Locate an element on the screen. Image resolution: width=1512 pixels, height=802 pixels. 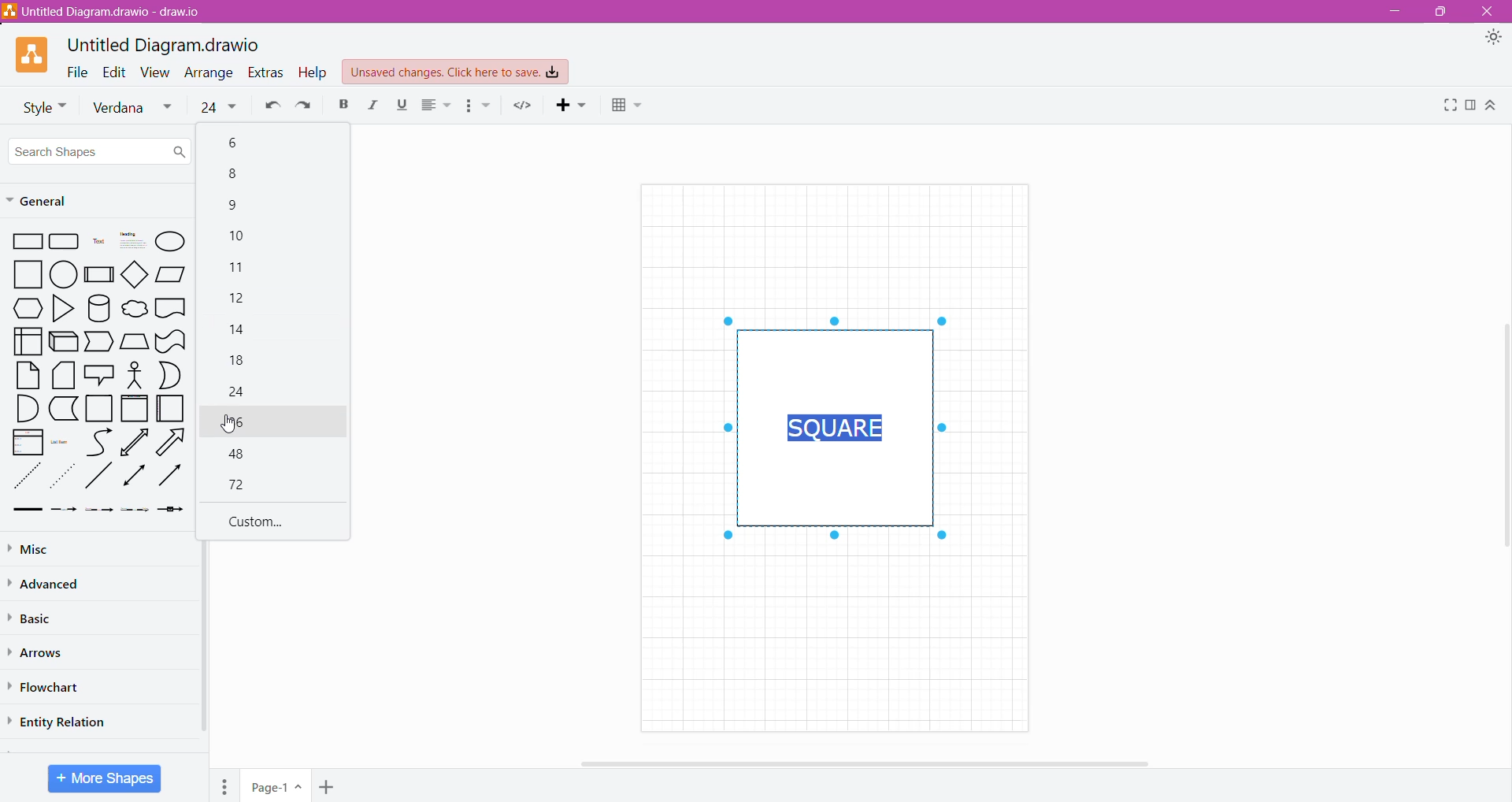
Italic is located at coordinates (374, 106).